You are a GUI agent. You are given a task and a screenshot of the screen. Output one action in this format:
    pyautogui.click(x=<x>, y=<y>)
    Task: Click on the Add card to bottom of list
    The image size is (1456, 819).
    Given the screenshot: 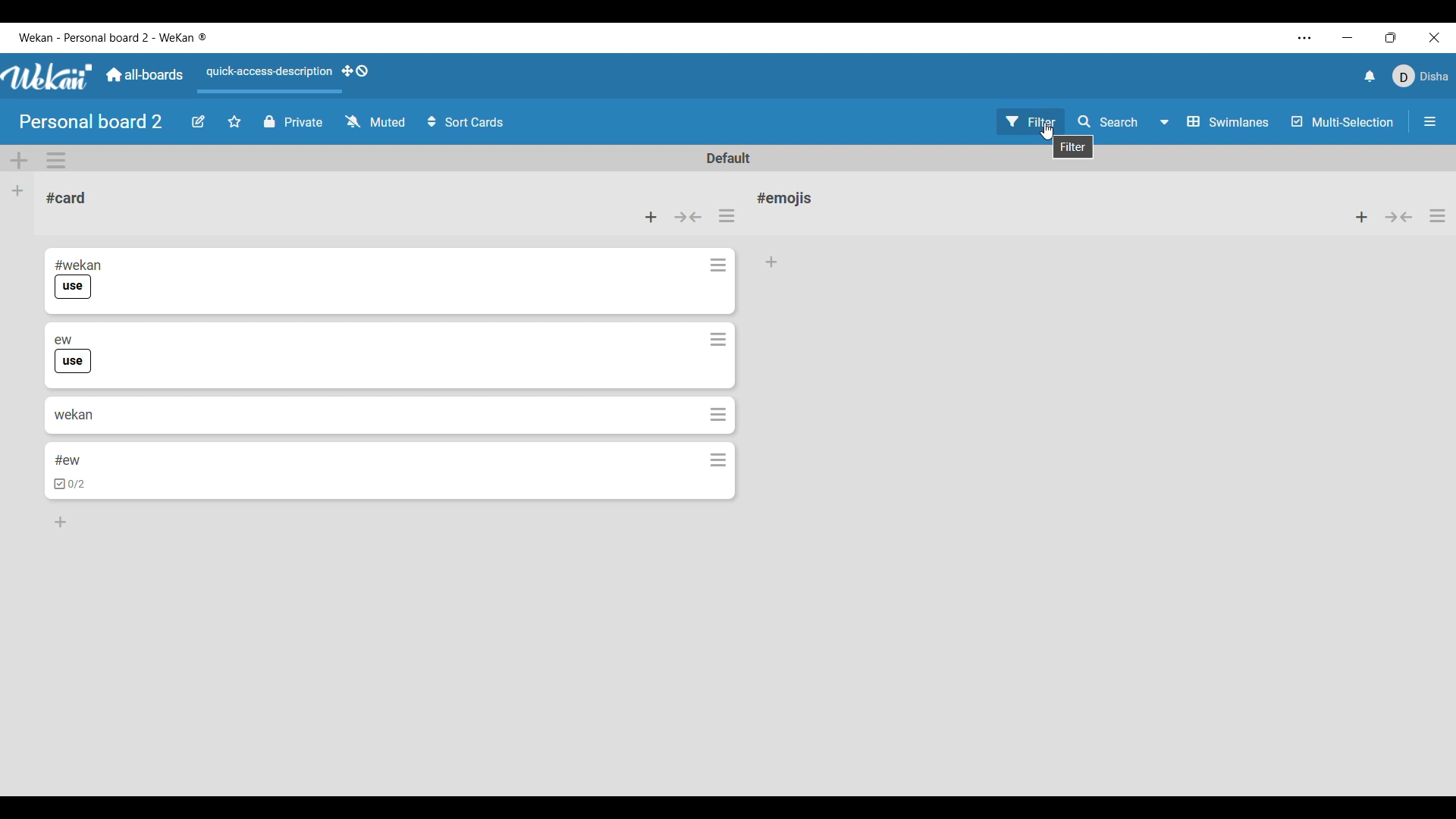 What is the action you would take?
    pyautogui.click(x=773, y=262)
    